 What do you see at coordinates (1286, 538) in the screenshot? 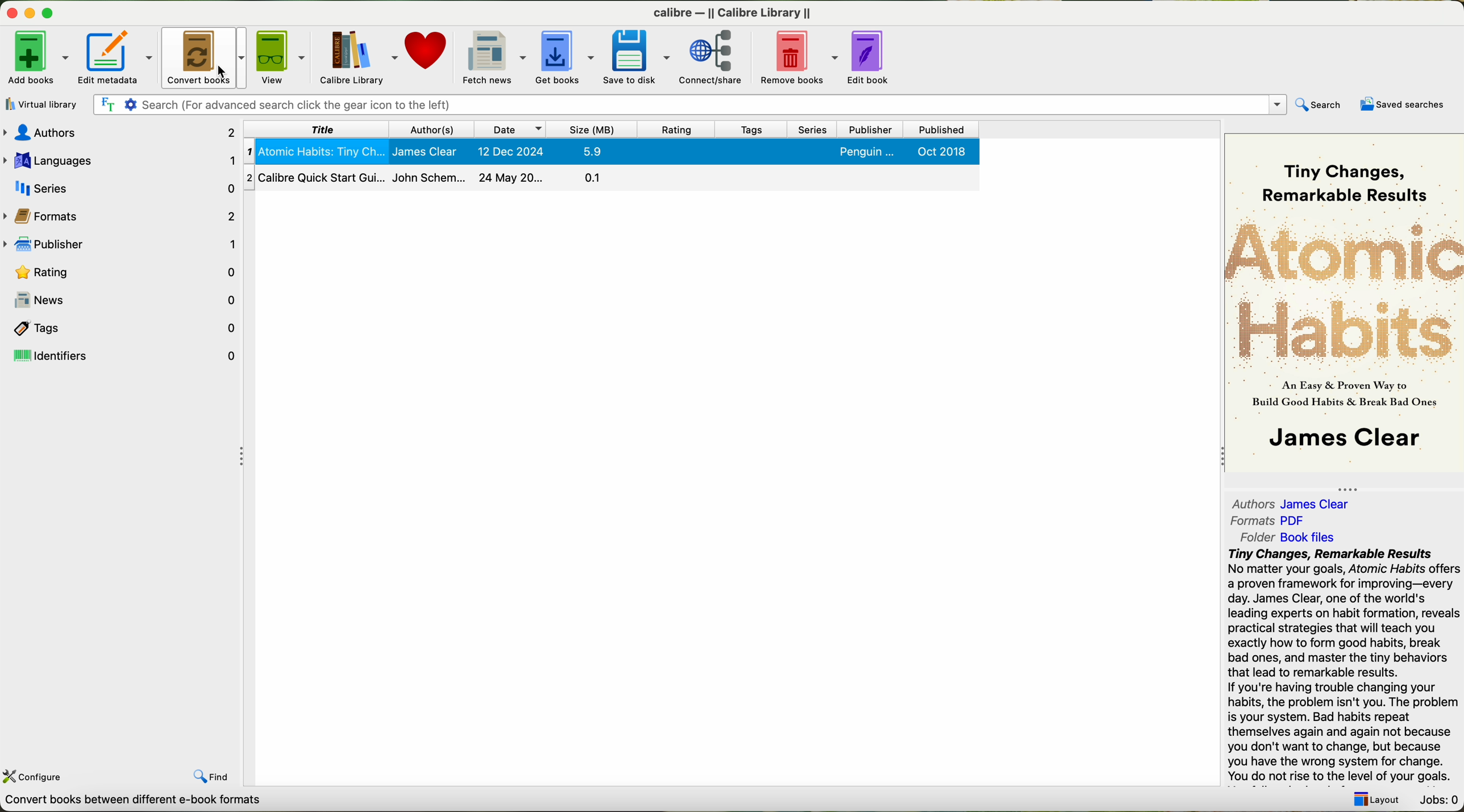
I see `folder` at bounding box center [1286, 538].